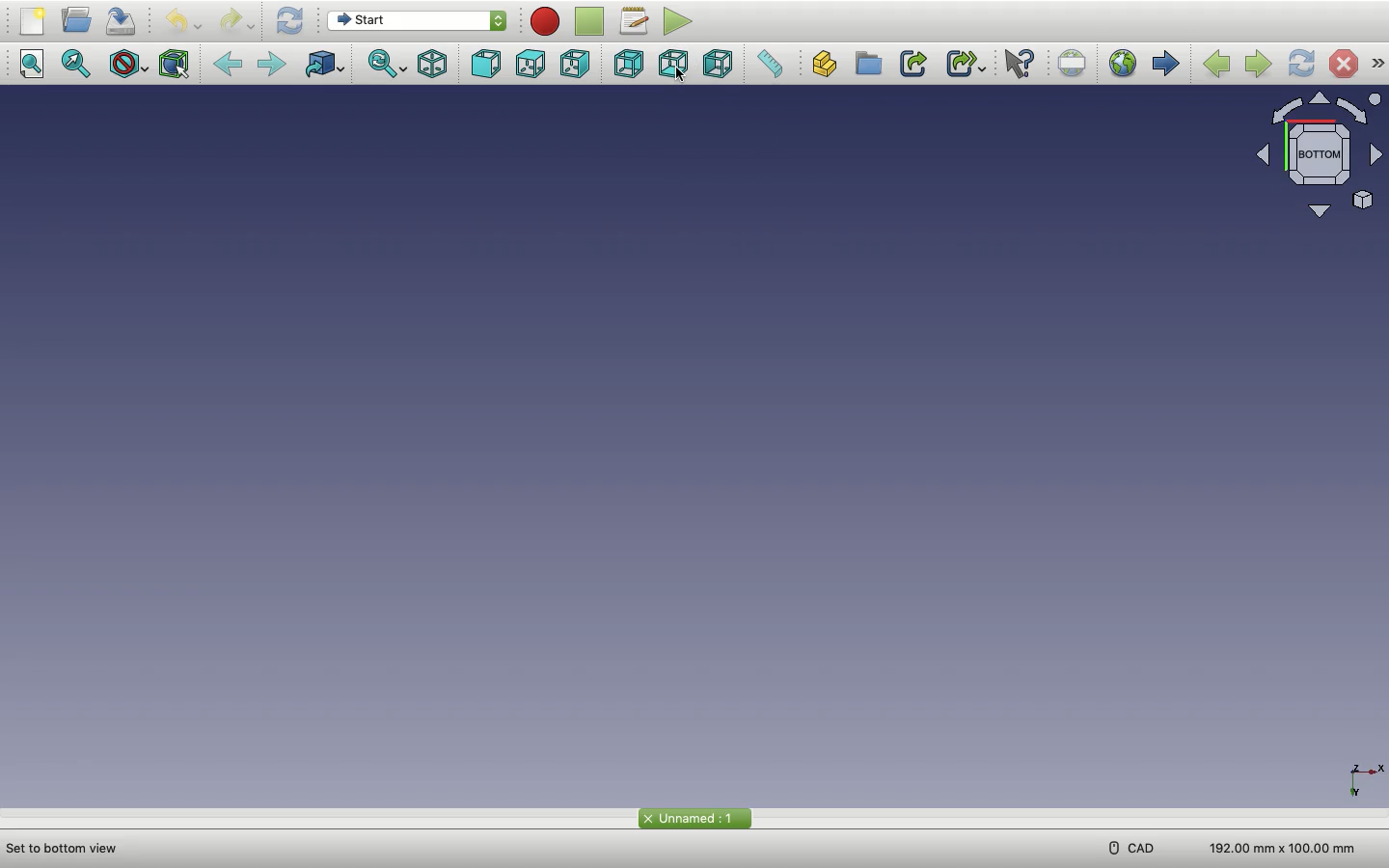 The width and height of the screenshot is (1389, 868). Describe the element at coordinates (1217, 62) in the screenshot. I see `Previous page` at that location.